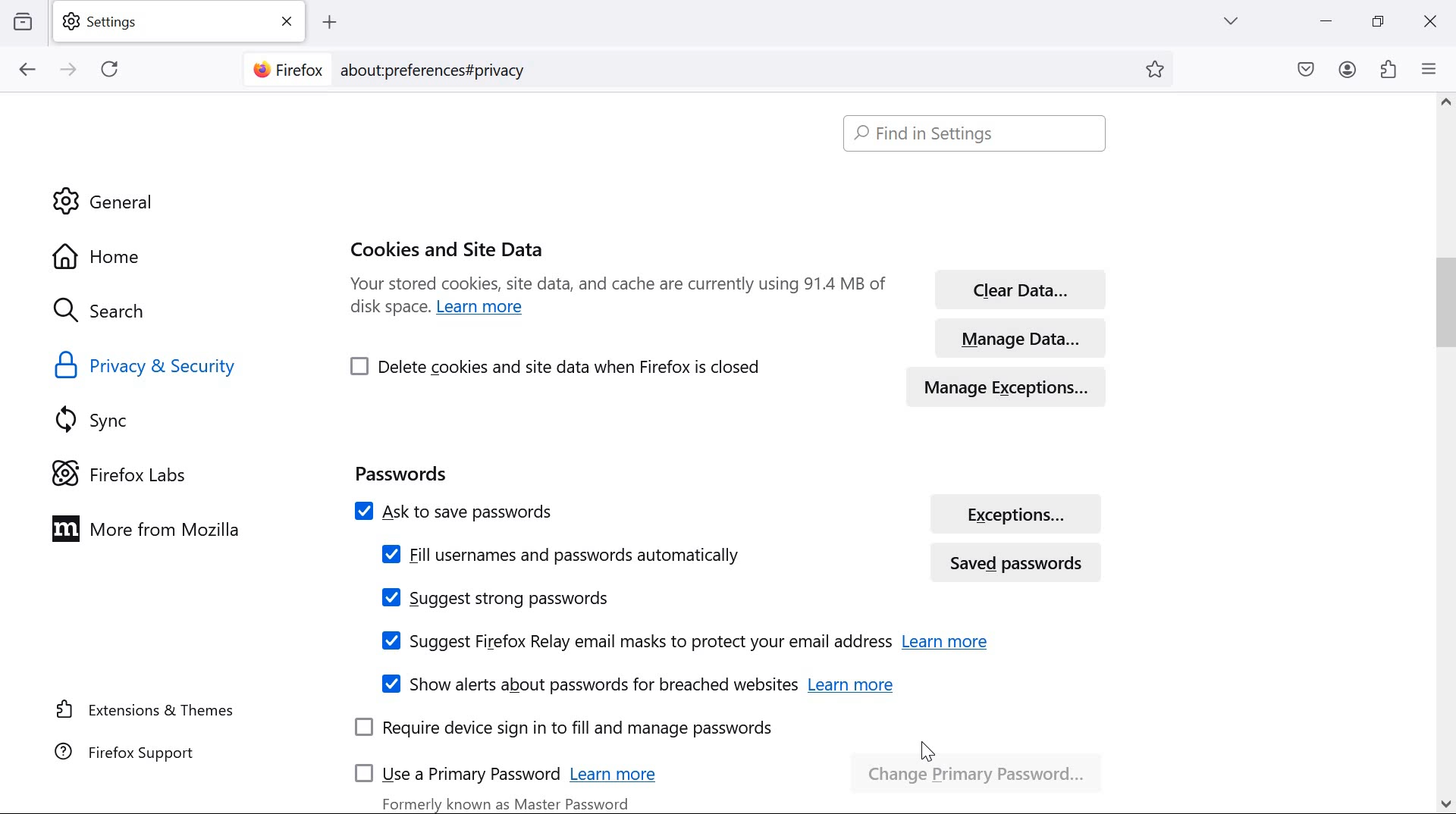 The image size is (1456, 814). Describe the element at coordinates (108, 201) in the screenshot. I see `General` at that location.